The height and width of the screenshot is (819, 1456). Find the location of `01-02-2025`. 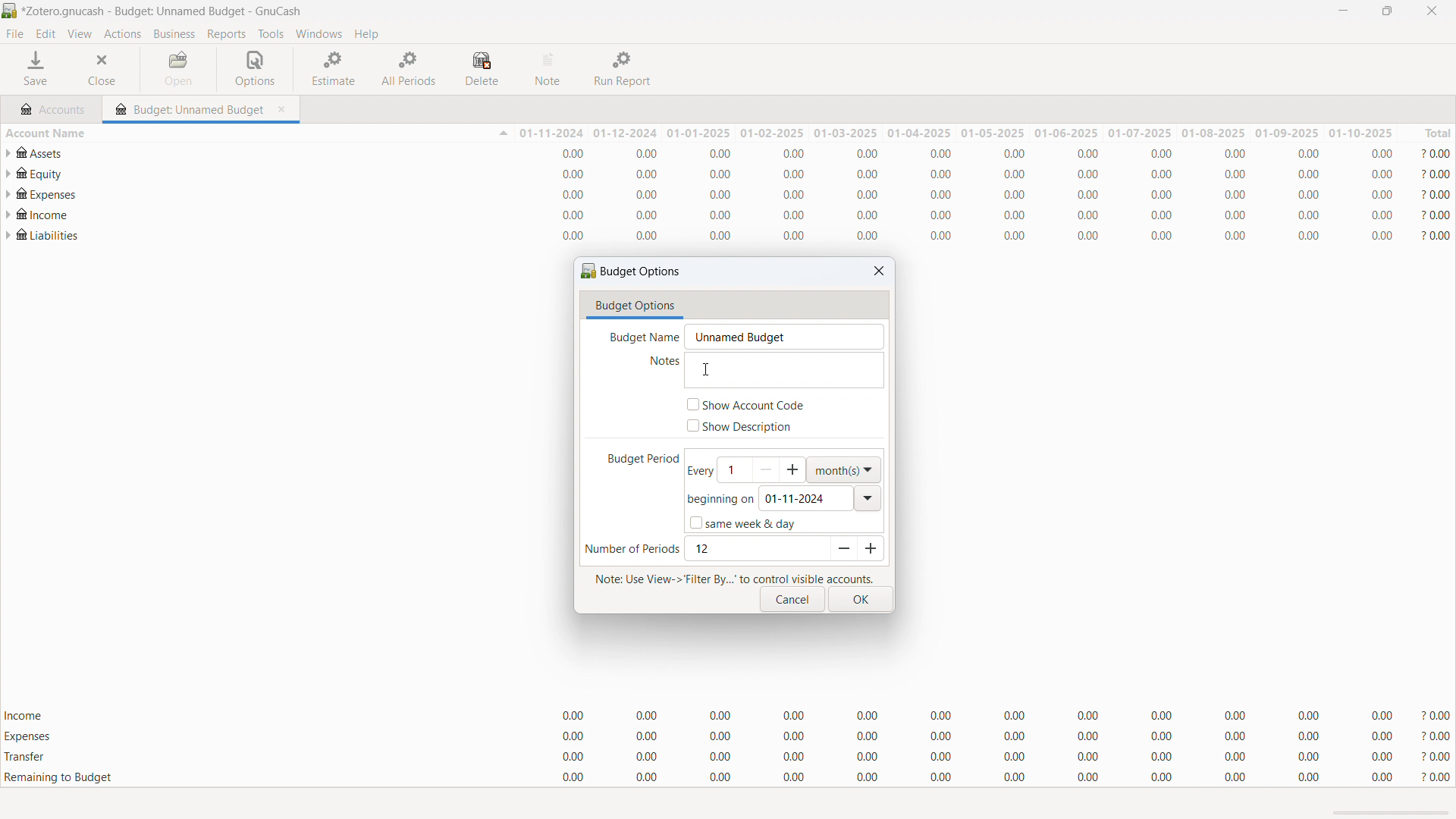

01-02-2025 is located at coordinates (772, 133).